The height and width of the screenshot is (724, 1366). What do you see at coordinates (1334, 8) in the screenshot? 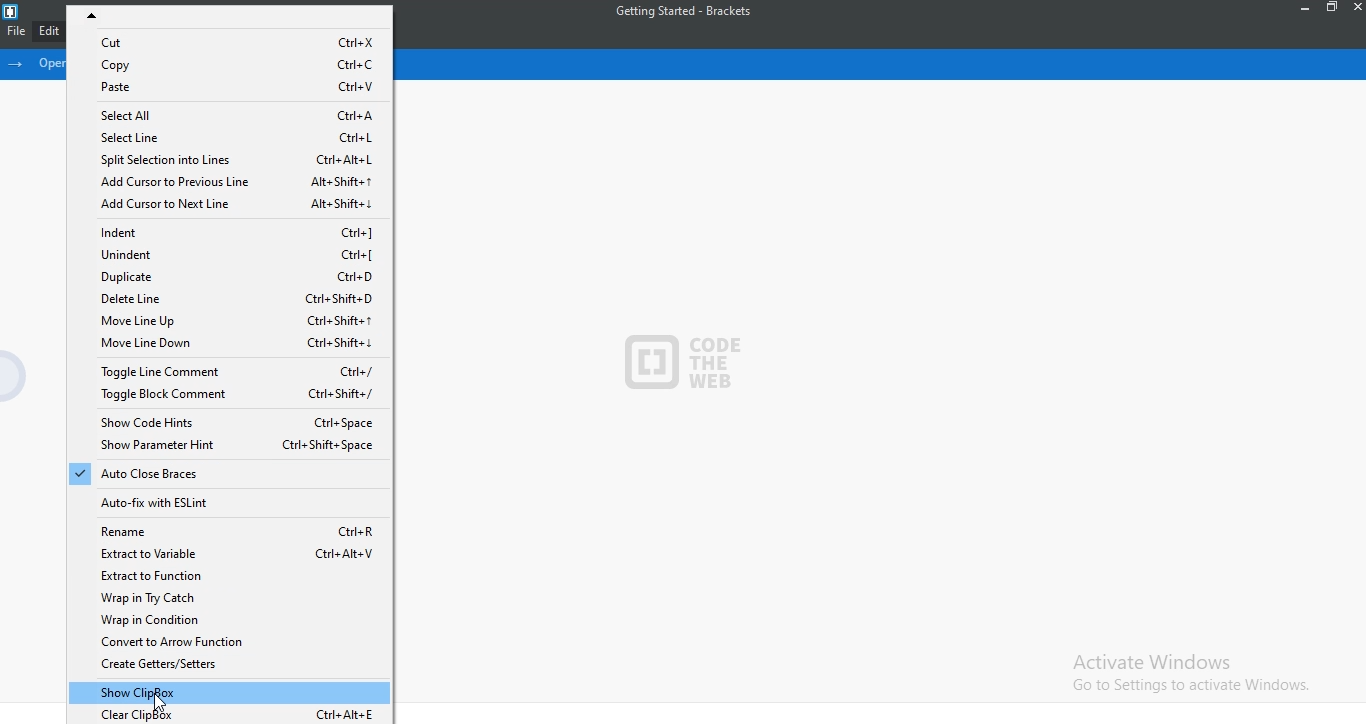
I see `restore` at bounding box center [1334, 8].